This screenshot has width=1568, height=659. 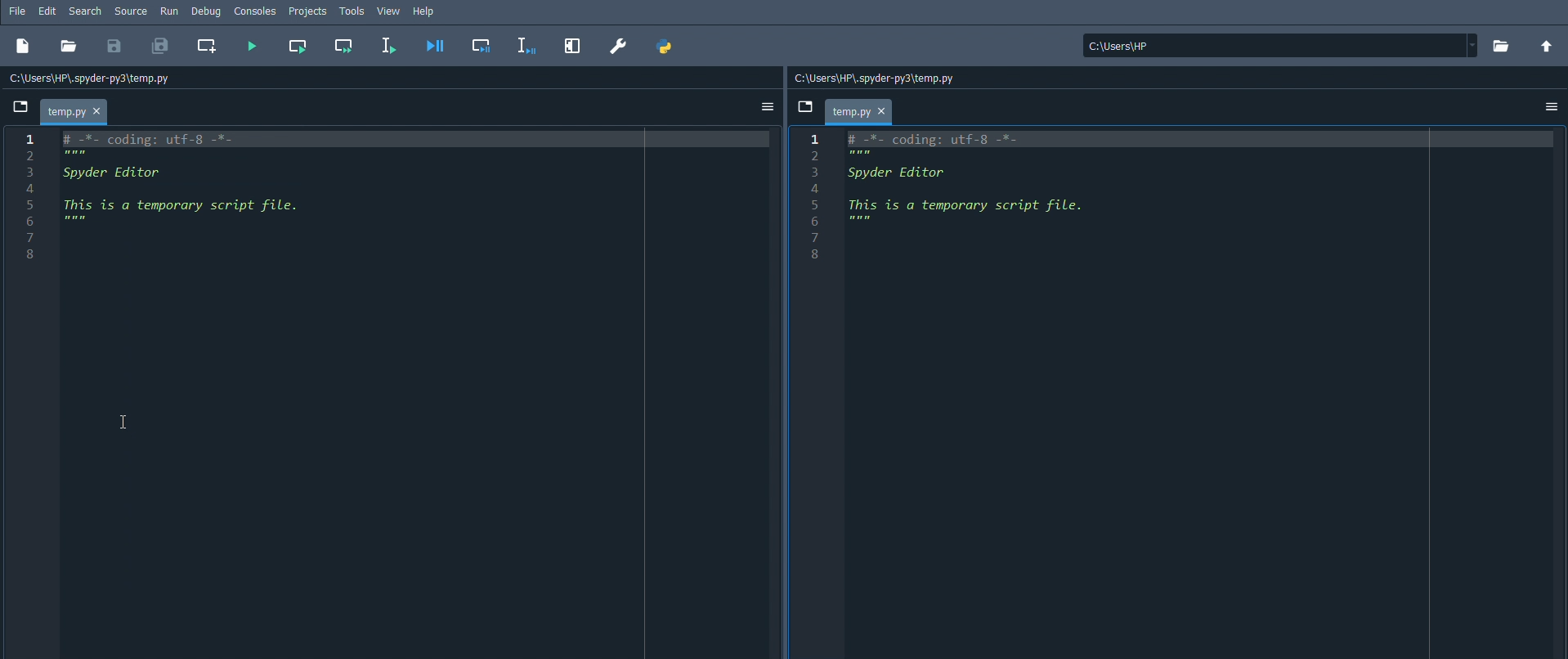 What do you see at coordinates (425, 11) in the screenshot?
I see `Help` at bounding box center [425, 11].